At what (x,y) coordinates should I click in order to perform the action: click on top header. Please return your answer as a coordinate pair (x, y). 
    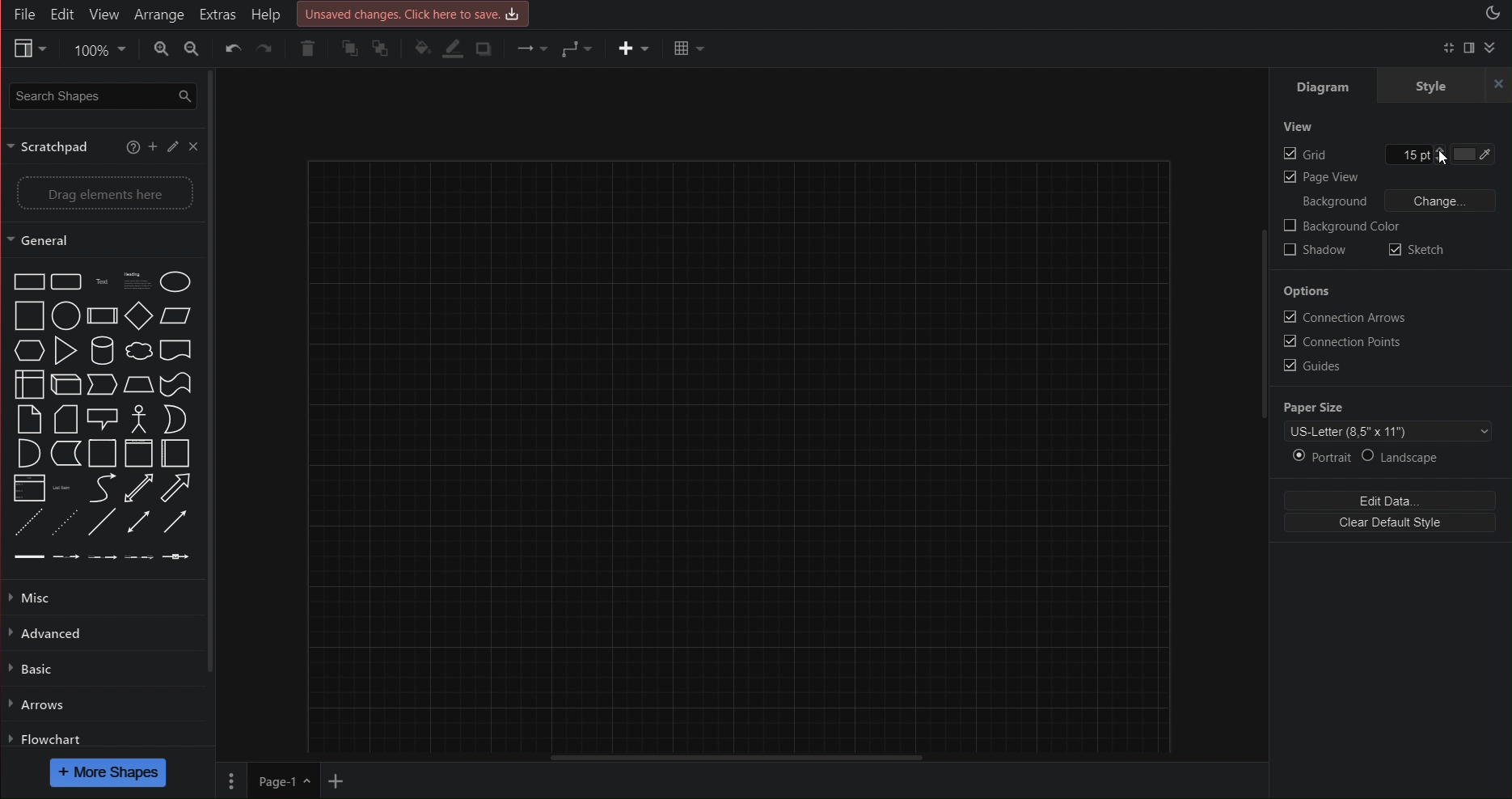
    Looking at the image, I should click on (136, 452).